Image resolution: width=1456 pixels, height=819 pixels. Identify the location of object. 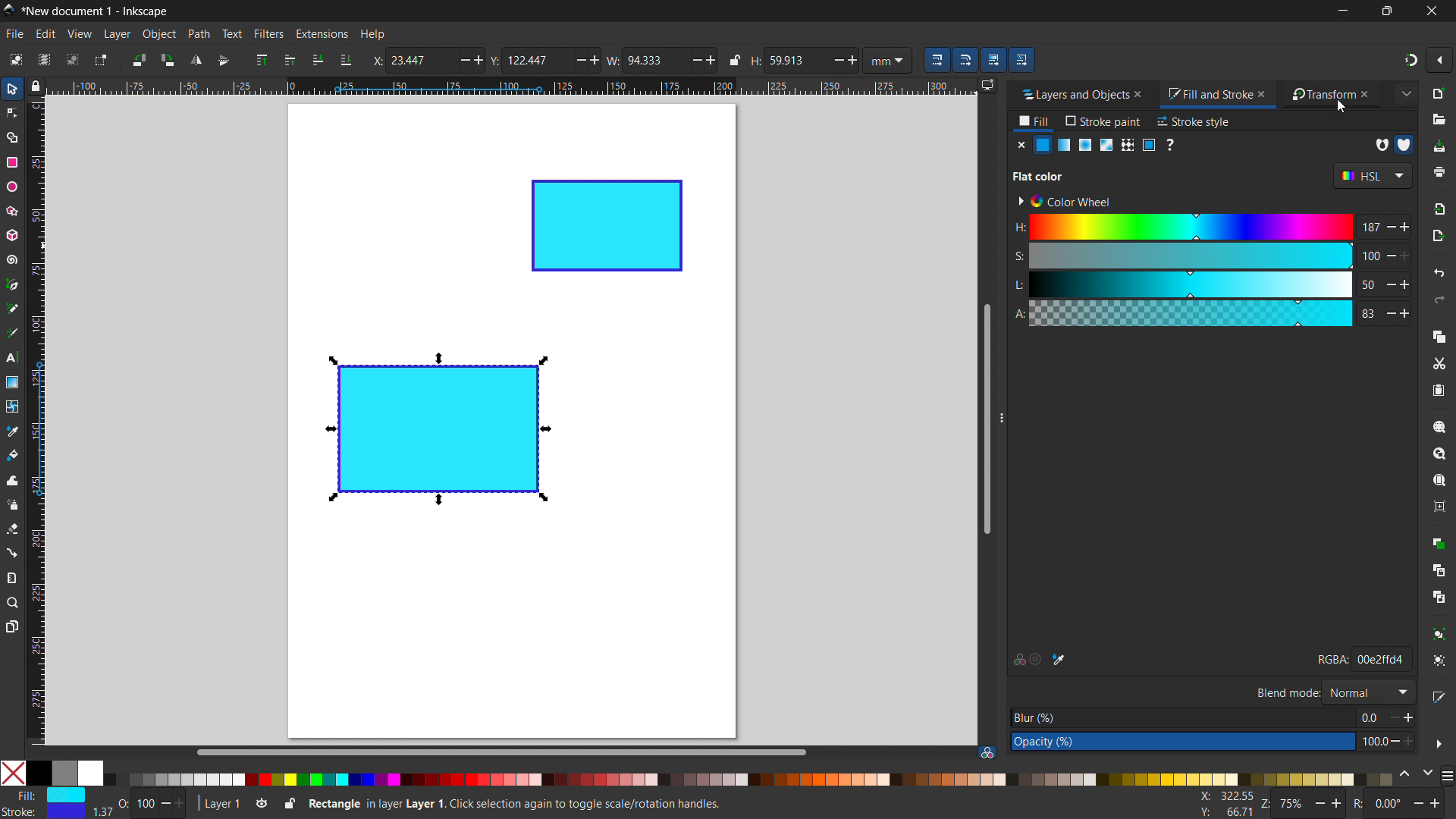
(159, 34).